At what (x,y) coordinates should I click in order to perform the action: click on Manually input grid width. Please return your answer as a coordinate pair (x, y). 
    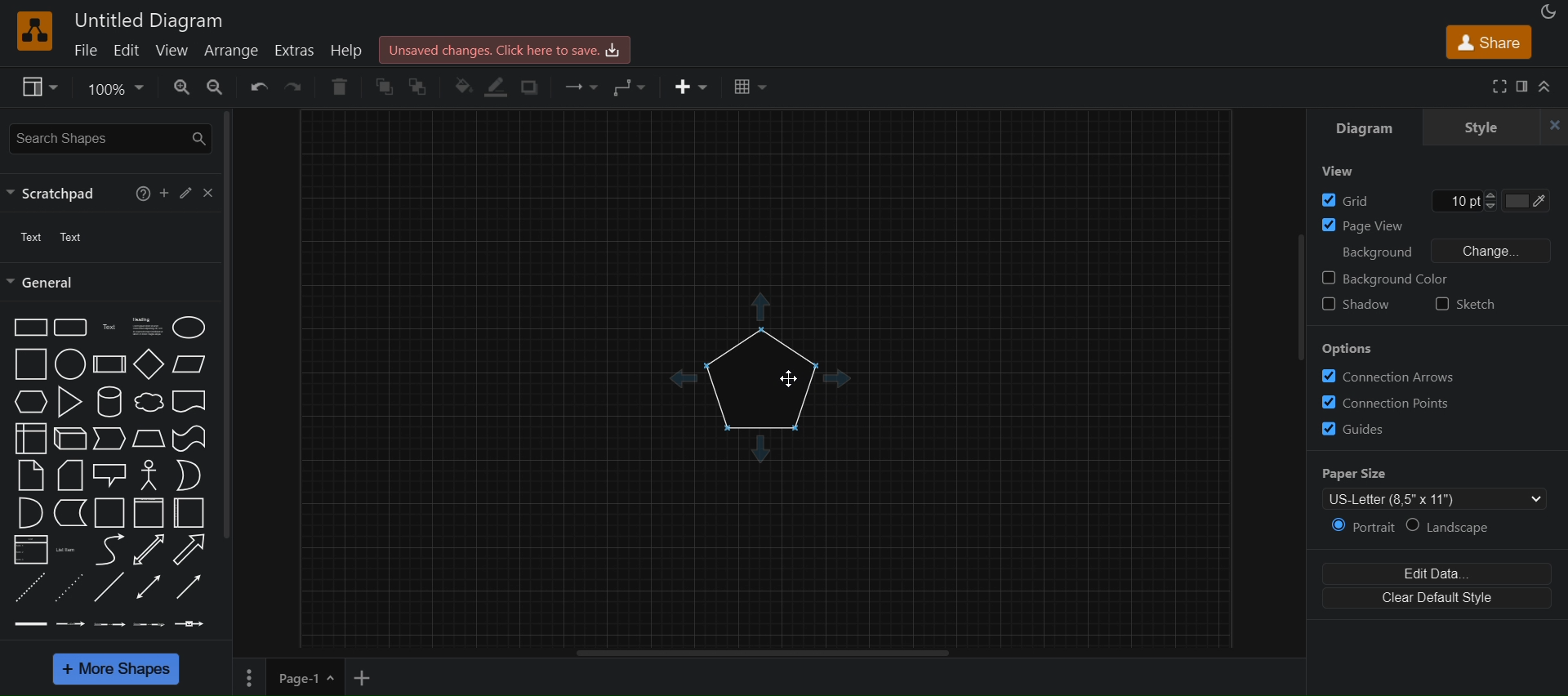
    Looking at the image, I should click on (1454, 201).